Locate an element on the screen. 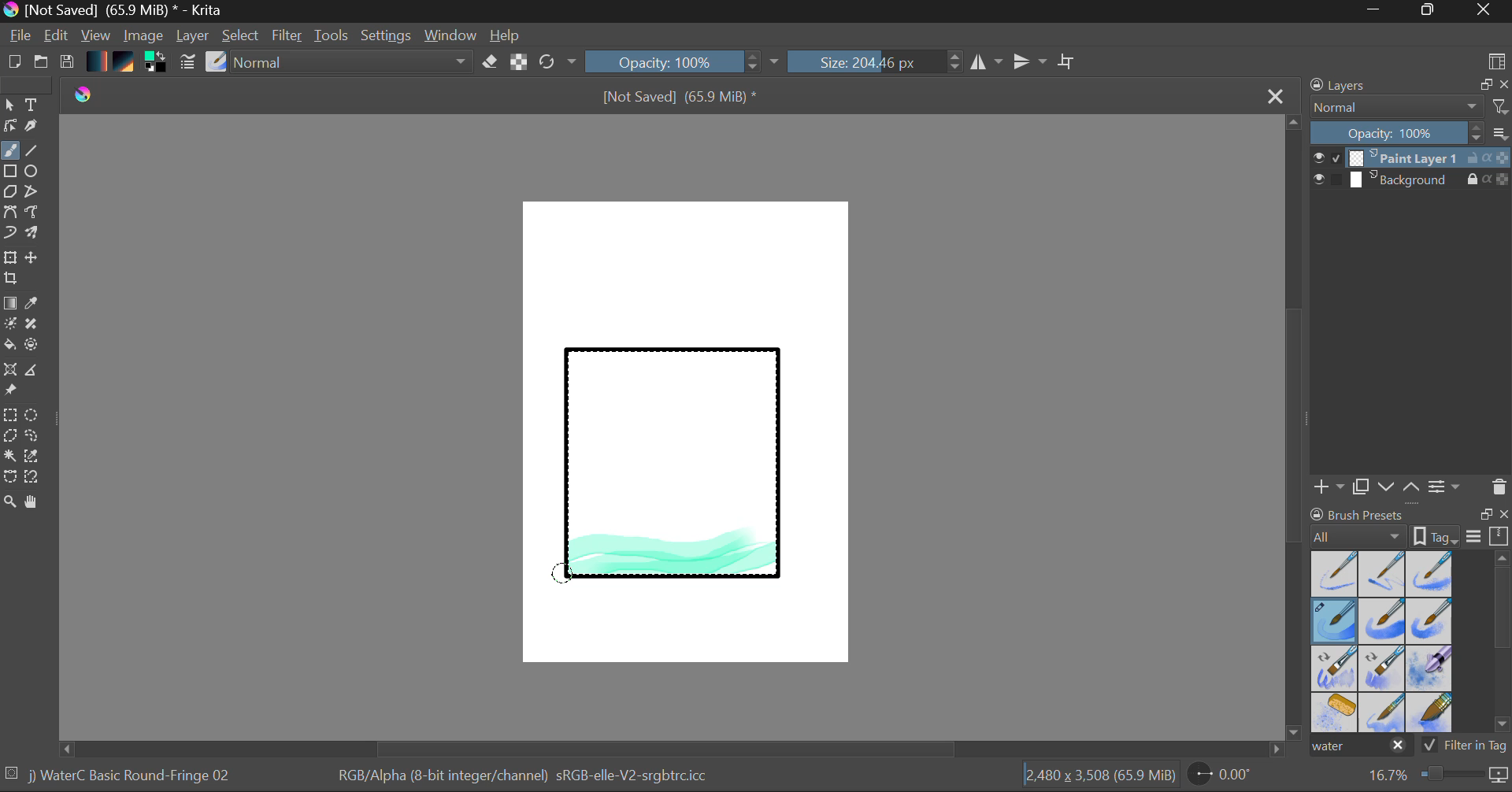 The image size is (1512, 792). Layer Settings is located at coordinates (1445, 486).